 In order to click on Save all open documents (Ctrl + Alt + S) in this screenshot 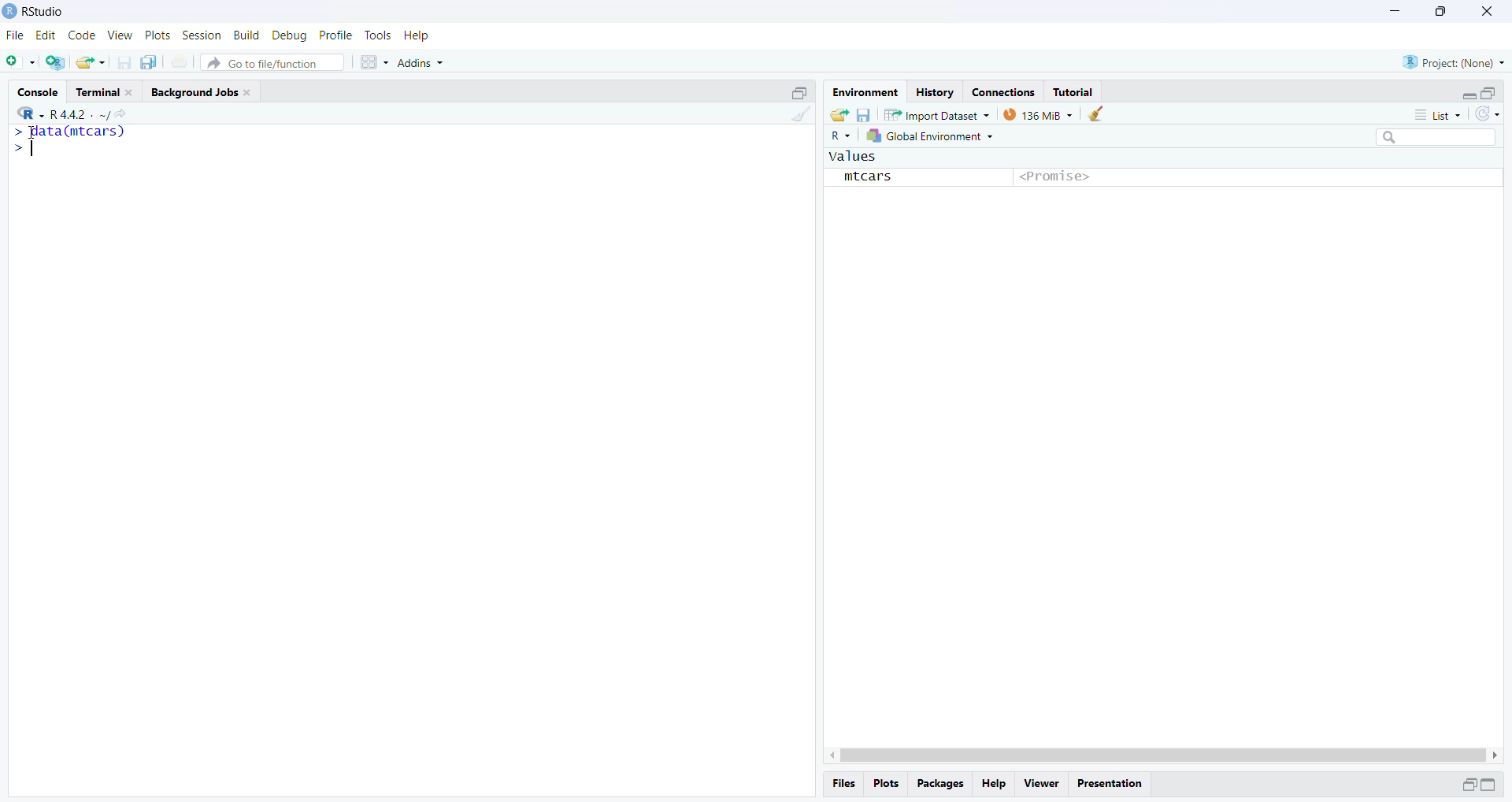, I will do `click(154, 62)`.